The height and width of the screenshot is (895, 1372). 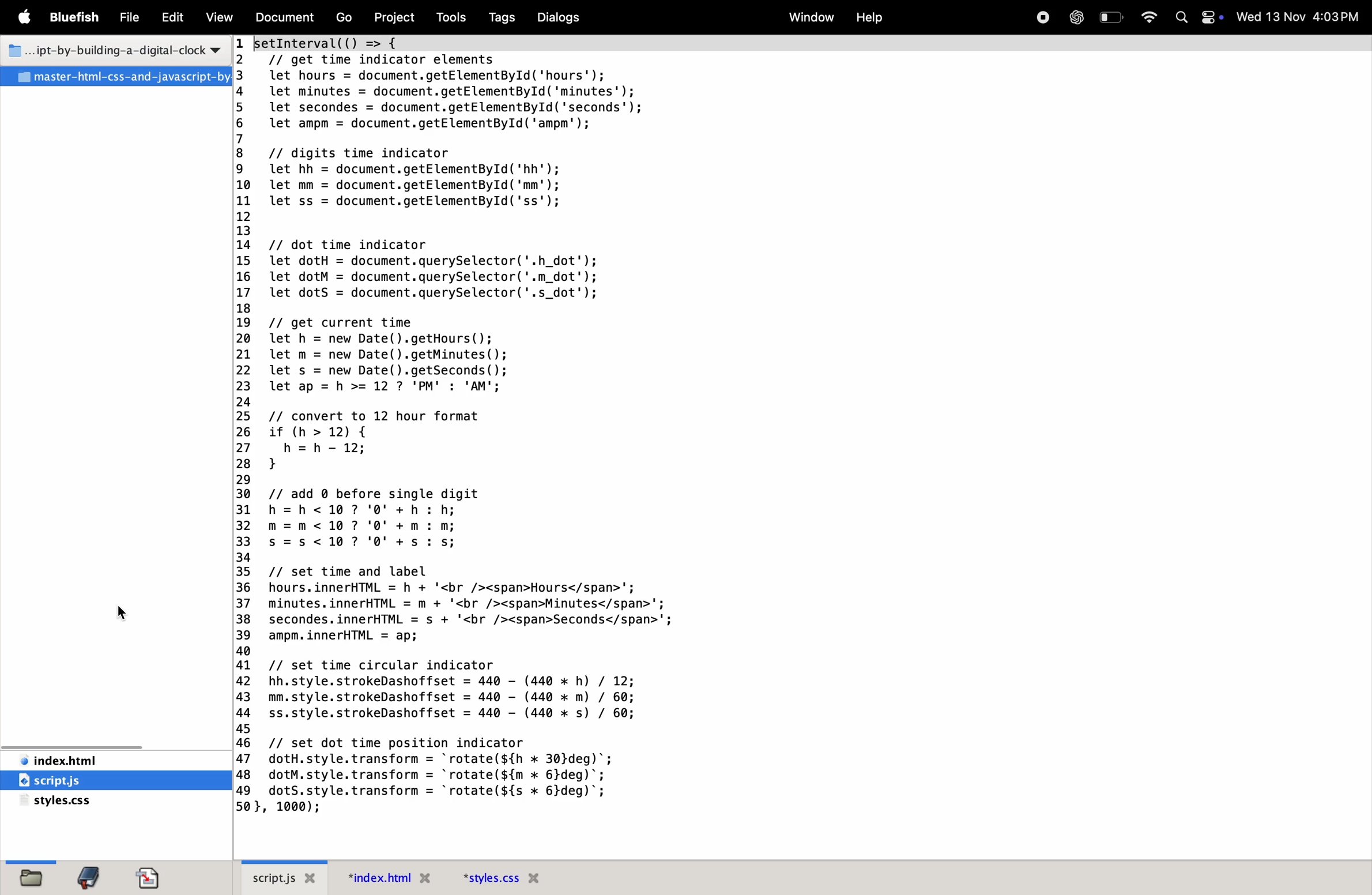 I want to click on Apple menu, so click(x=24, y=18).